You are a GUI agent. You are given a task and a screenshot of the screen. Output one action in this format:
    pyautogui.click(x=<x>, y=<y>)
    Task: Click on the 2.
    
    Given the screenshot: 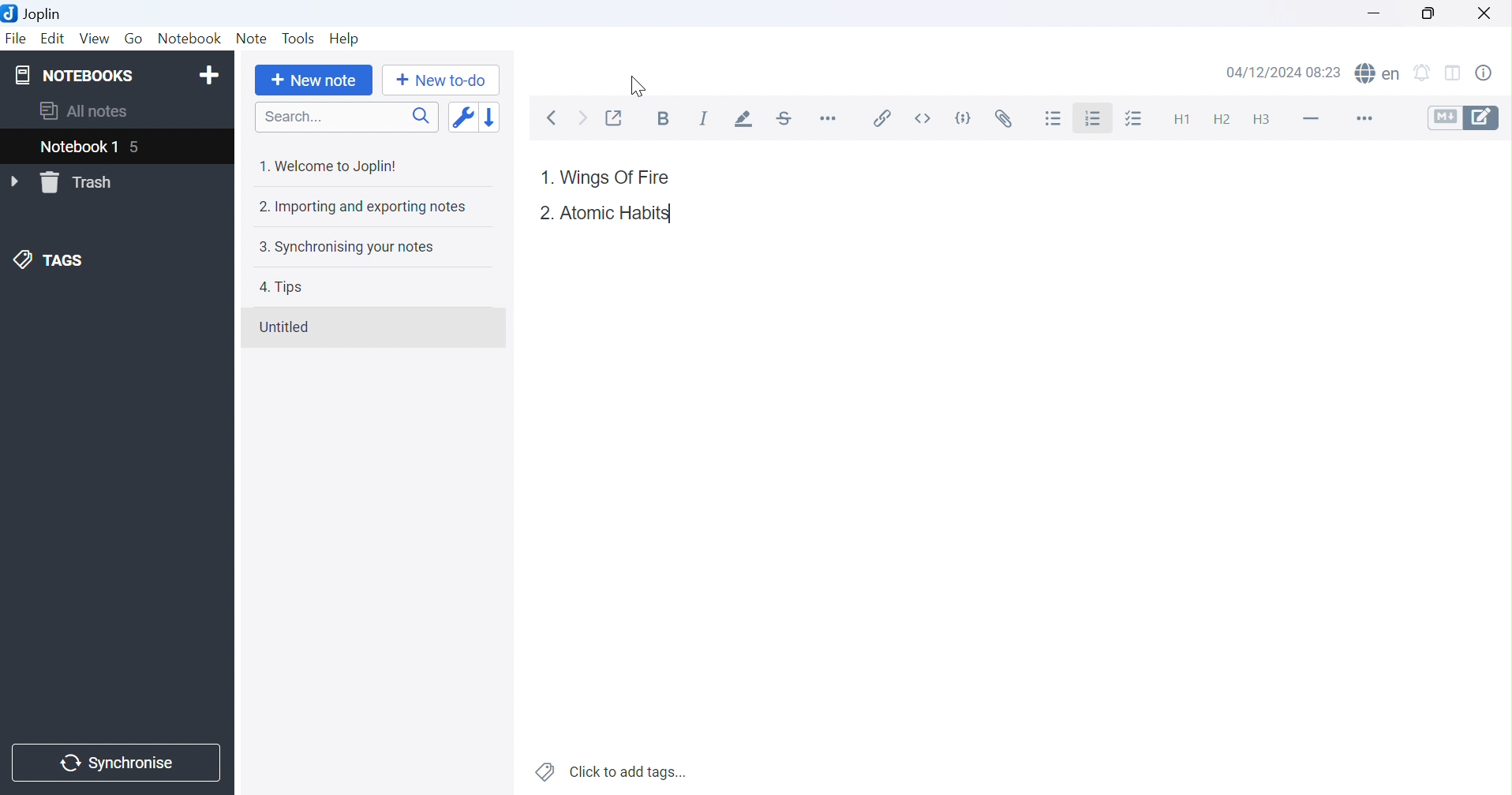 What is the action you would take?
    pyautogui.click(x=545, y=214)
    